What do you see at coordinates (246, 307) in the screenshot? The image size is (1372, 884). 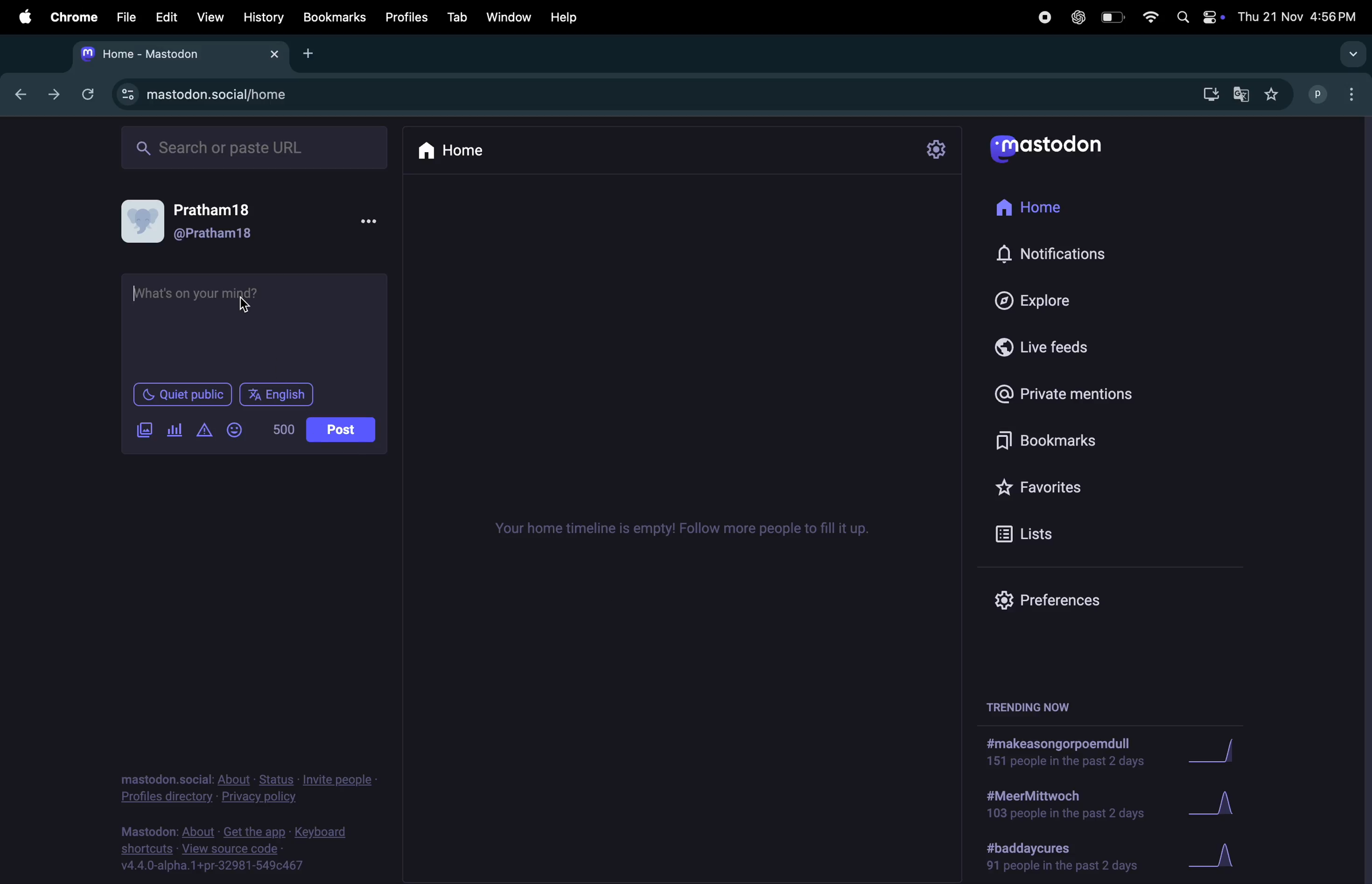 I see `cursor` at bounding box center [246, 307].